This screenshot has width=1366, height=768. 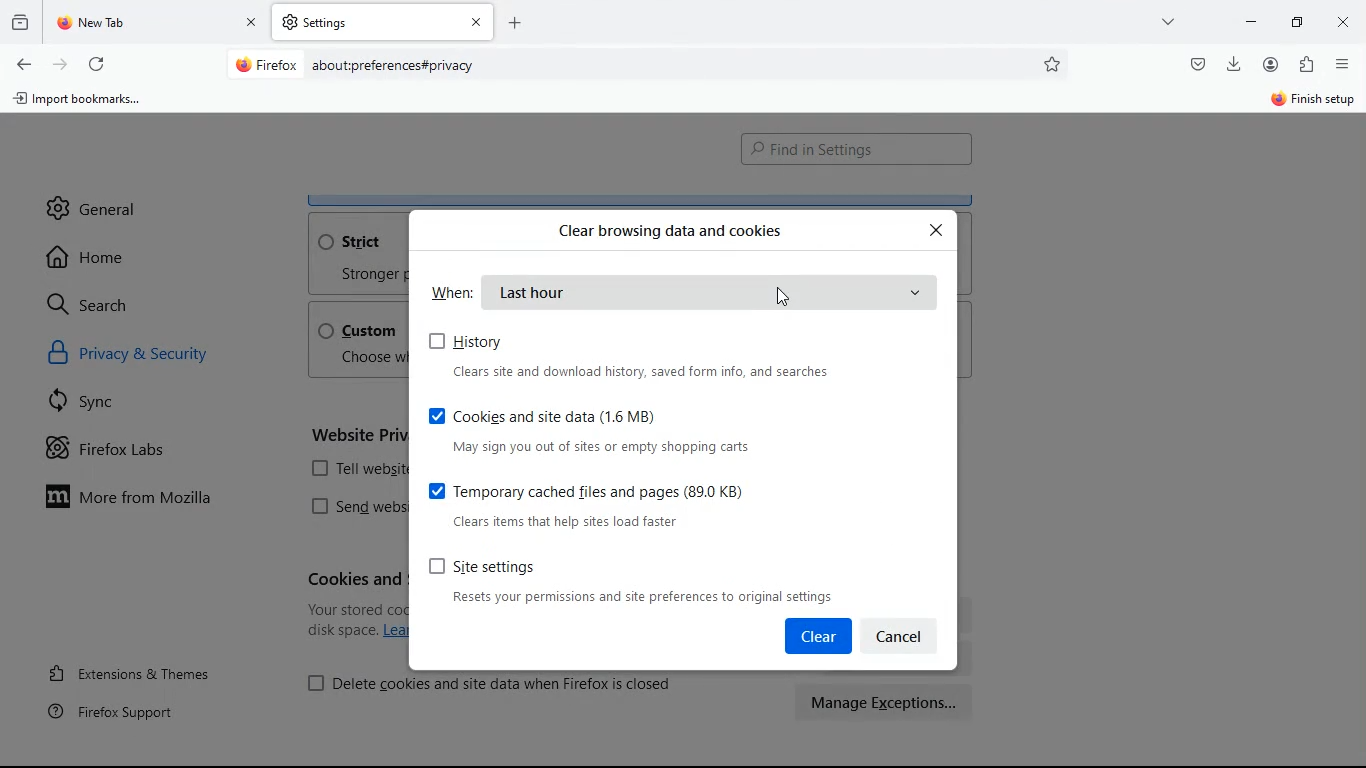 I want to click on home, so click(x=94, y=257).